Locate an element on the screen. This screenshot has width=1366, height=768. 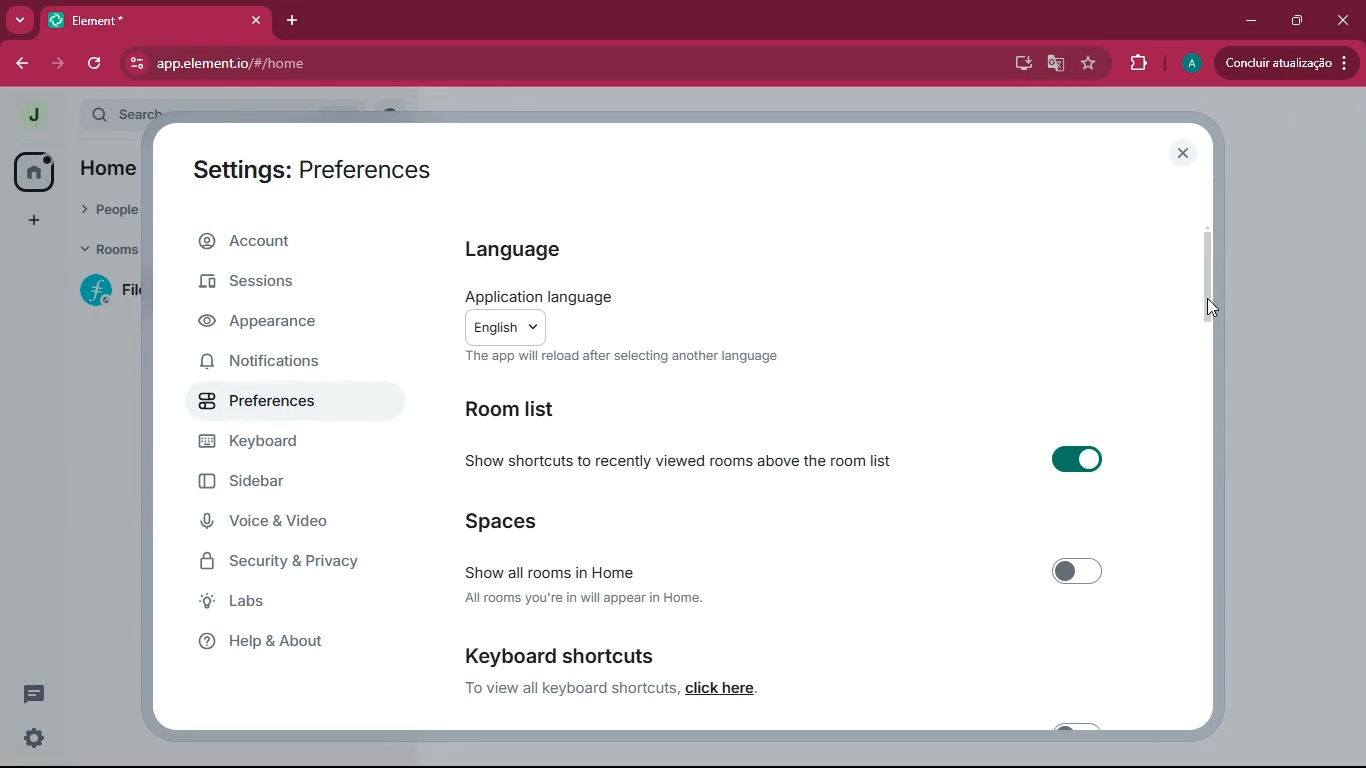
Settings: Preferences is located at coordinates (318, 168).